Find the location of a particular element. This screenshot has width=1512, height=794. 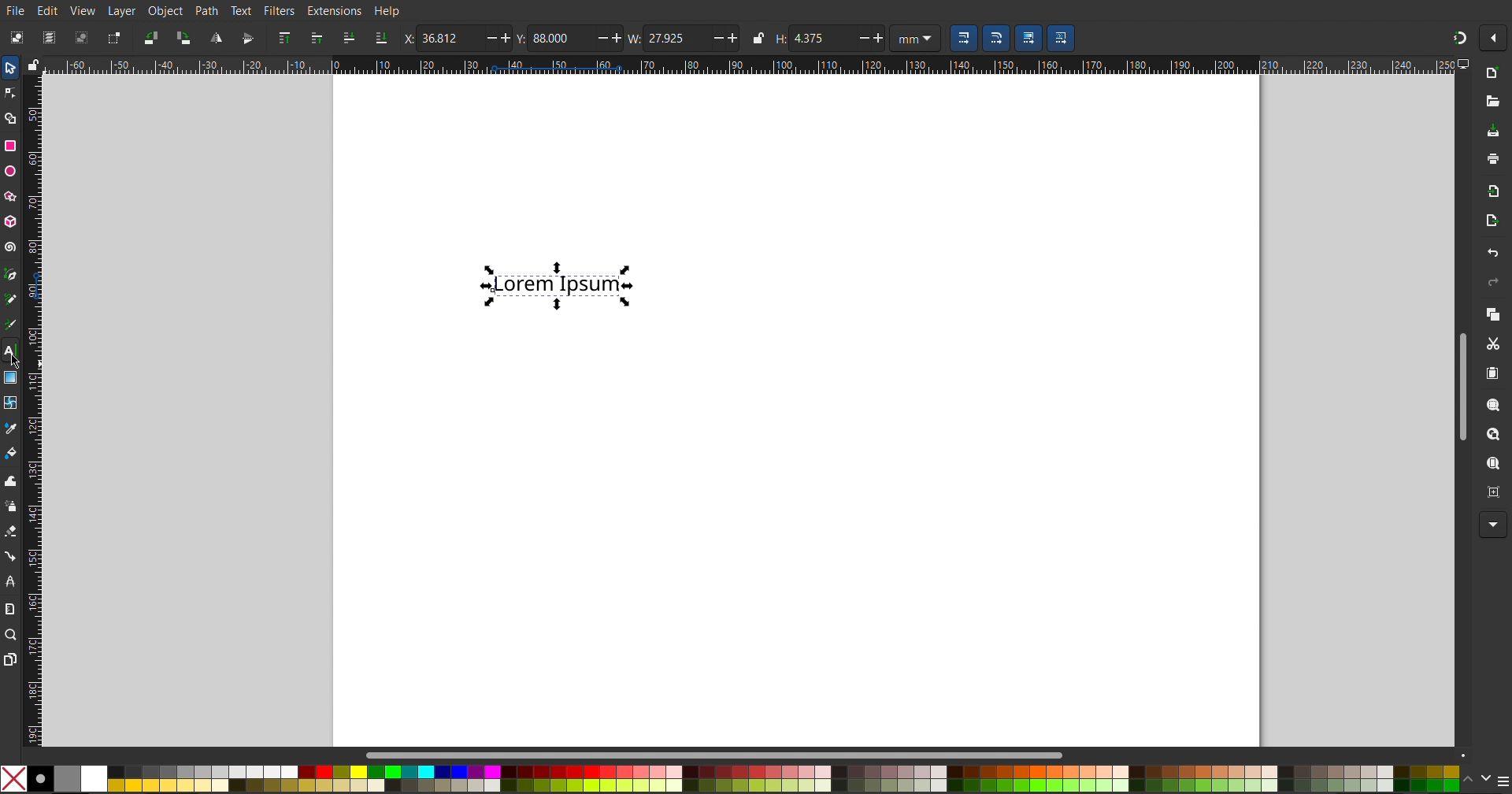

Y Coordinate is located at coordinates (569, 38).